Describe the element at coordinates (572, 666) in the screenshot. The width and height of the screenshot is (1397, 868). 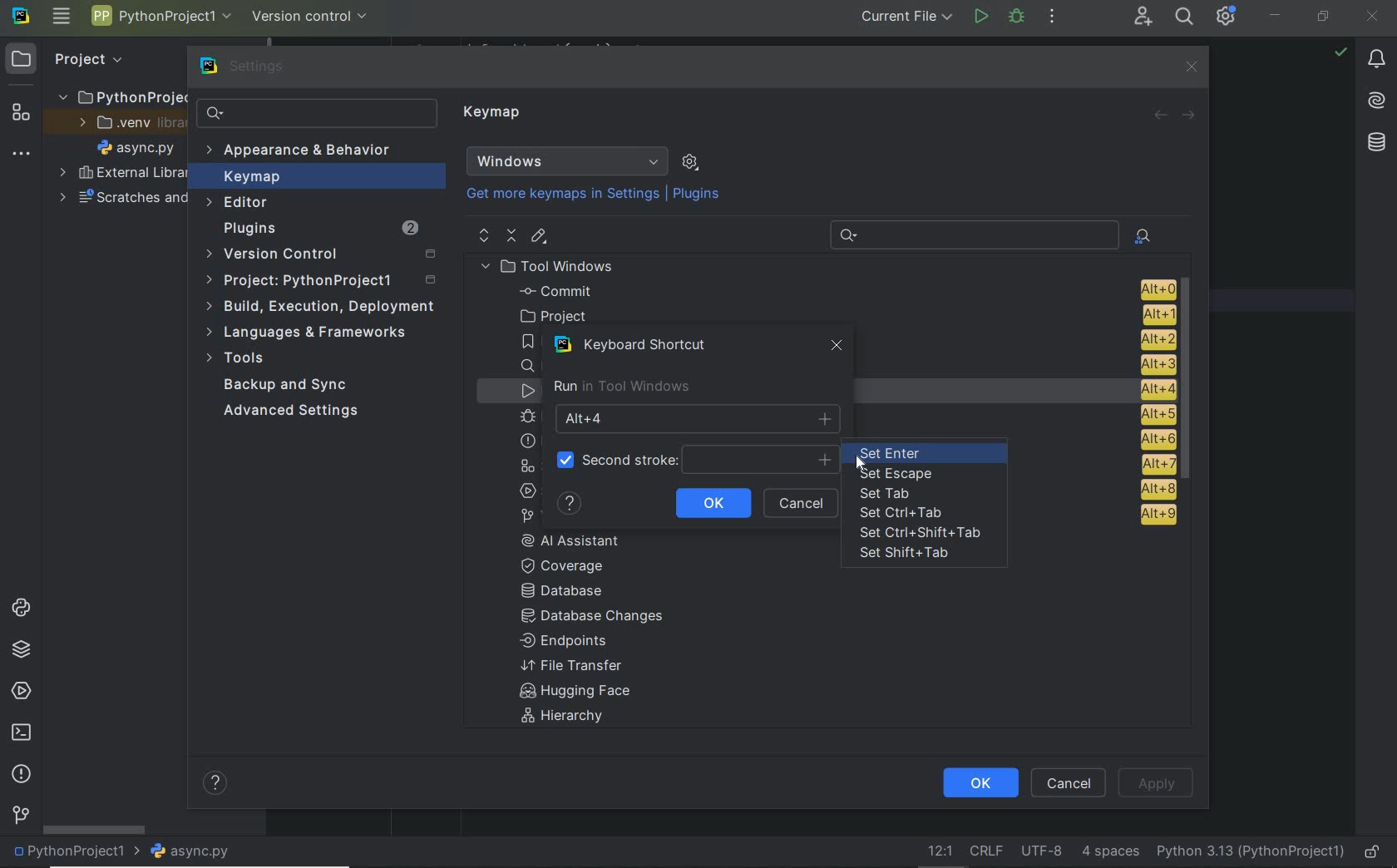
I see `File Transfer` at that location.